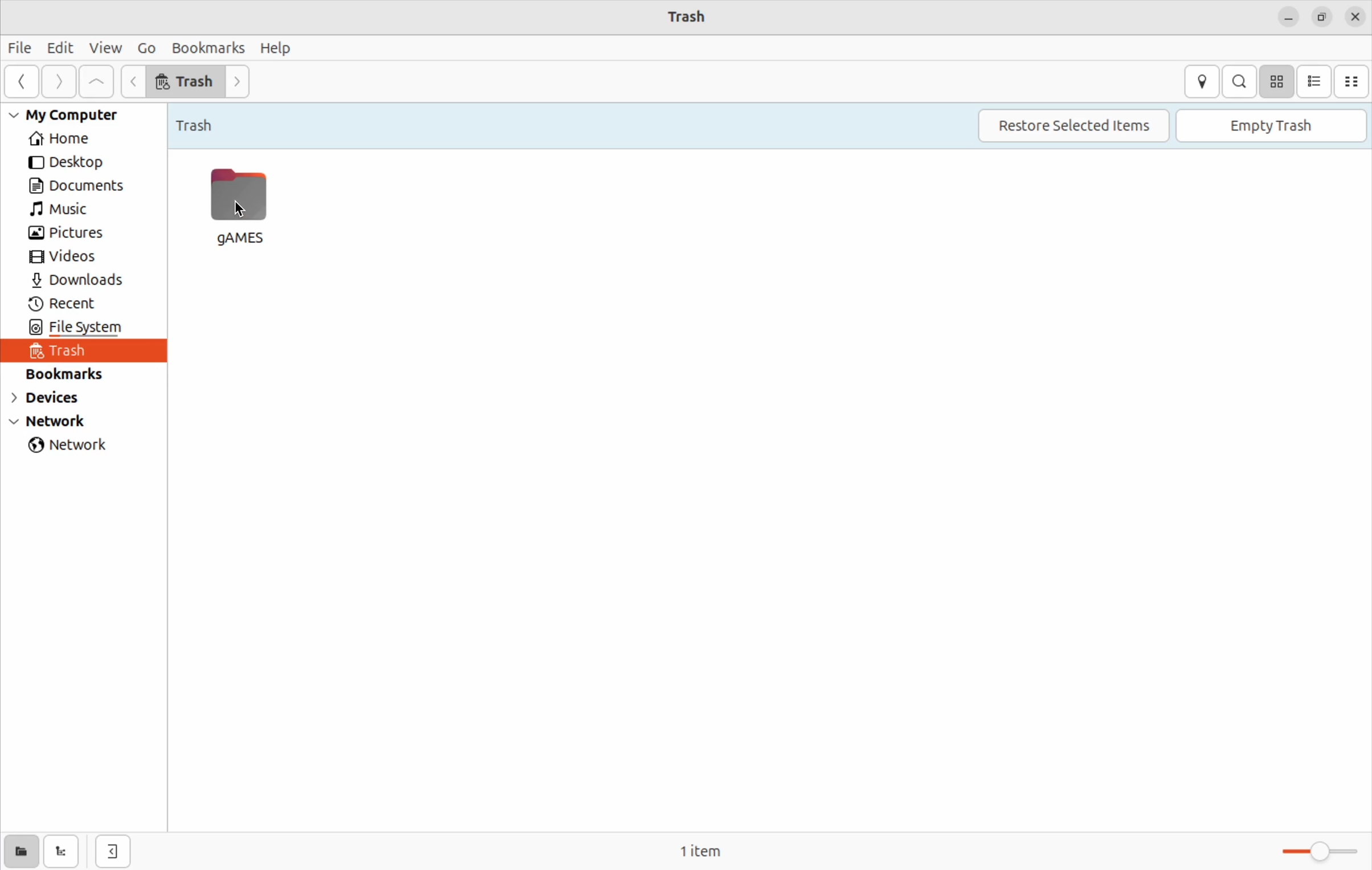  Describe the element at coordinates (21, 50) in the screenshot. I see `File` at that location.